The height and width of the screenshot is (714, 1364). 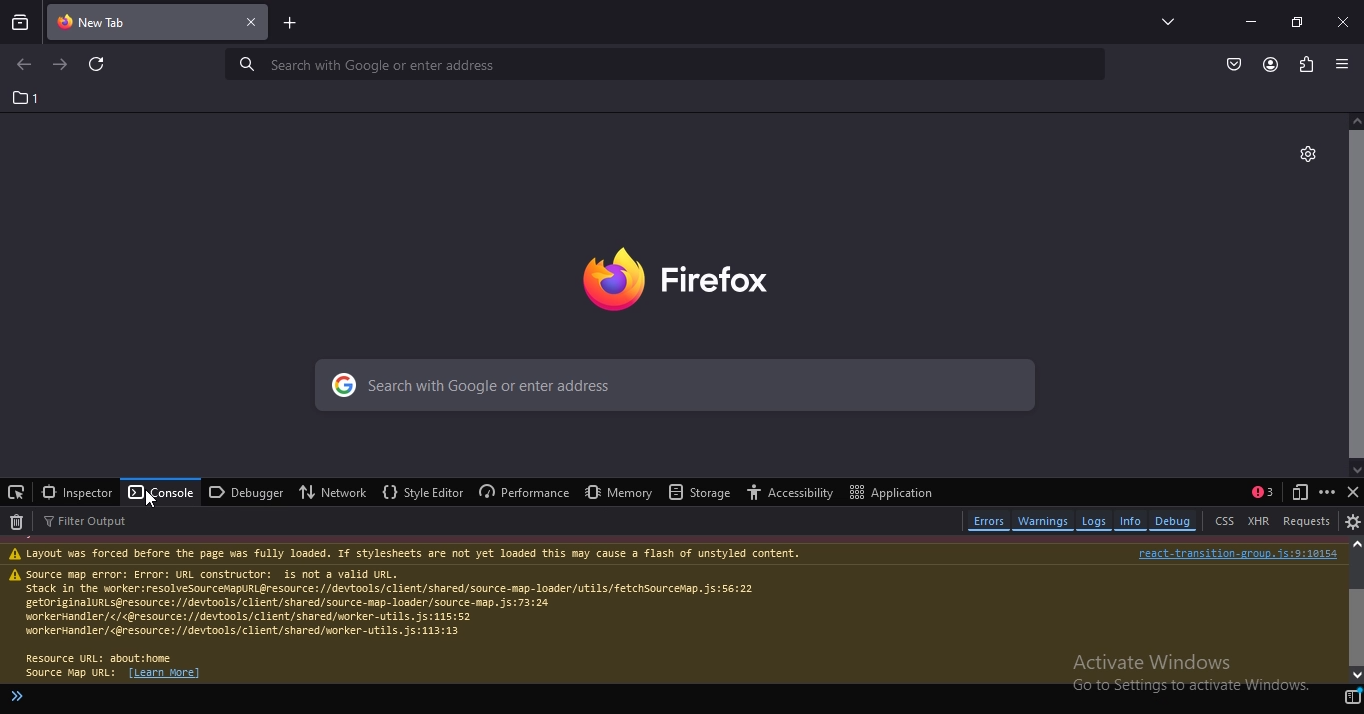 I want to click on restore tab, so click(x=1296, y=21).